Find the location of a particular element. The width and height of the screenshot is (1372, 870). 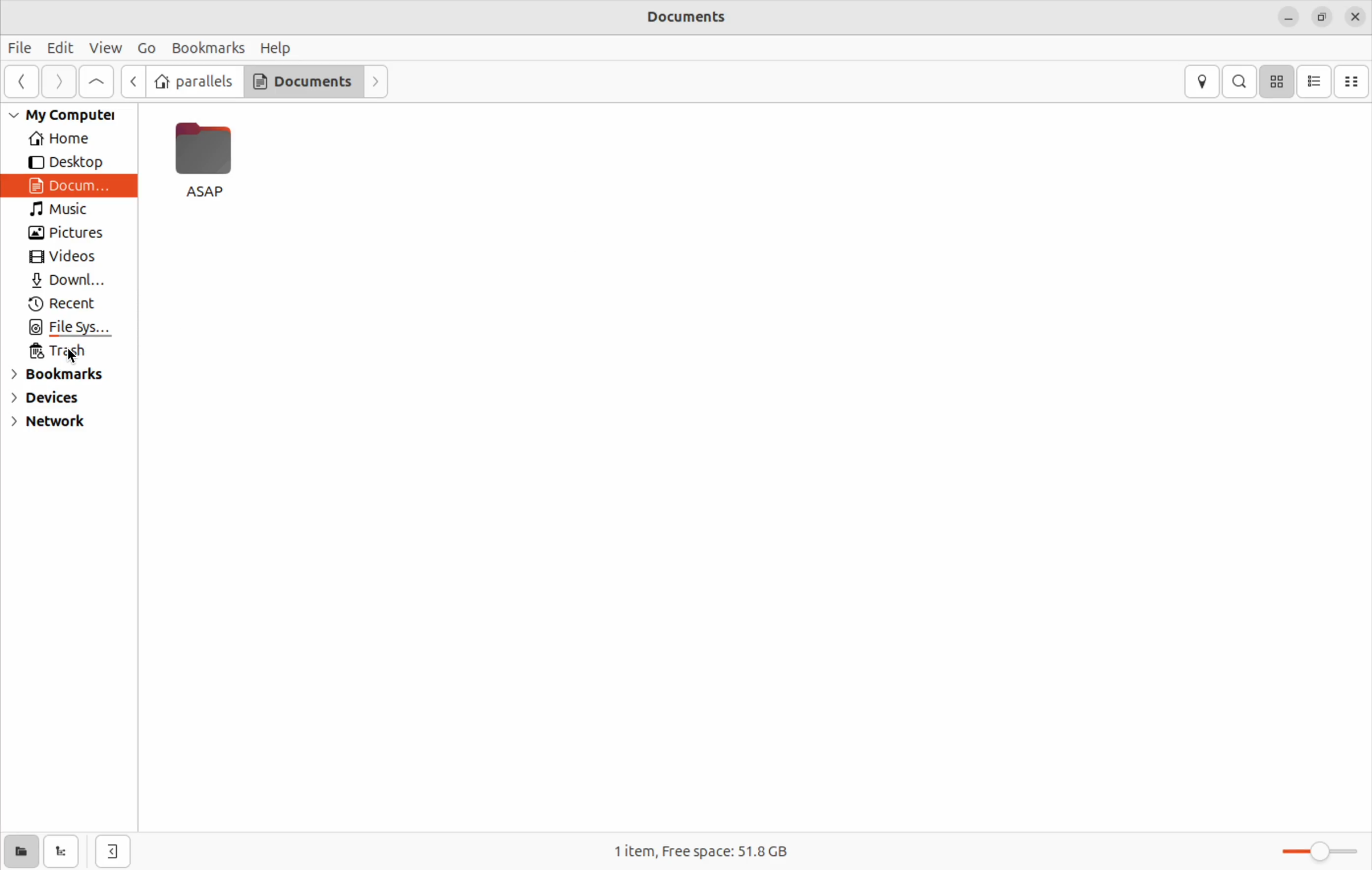

cursor is located at coordinates (73, 357).